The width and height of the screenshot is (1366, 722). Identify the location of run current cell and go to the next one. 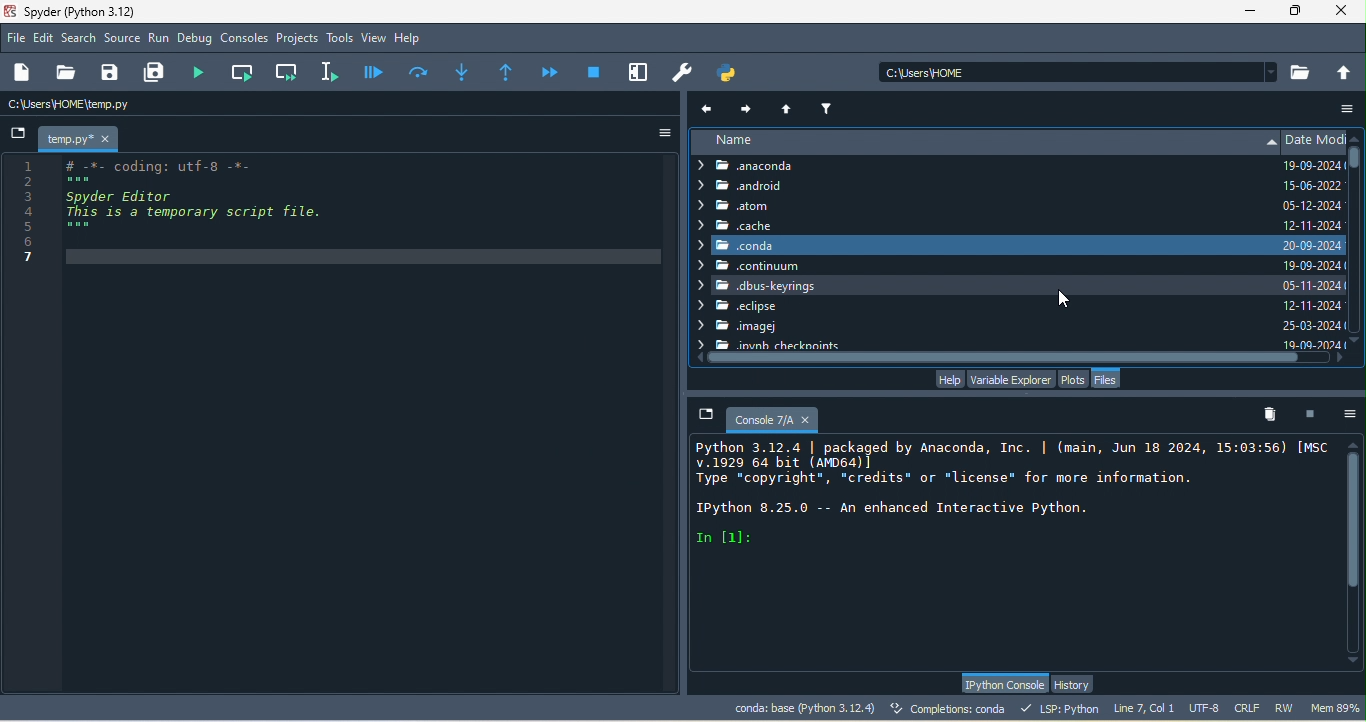
(288, 71).